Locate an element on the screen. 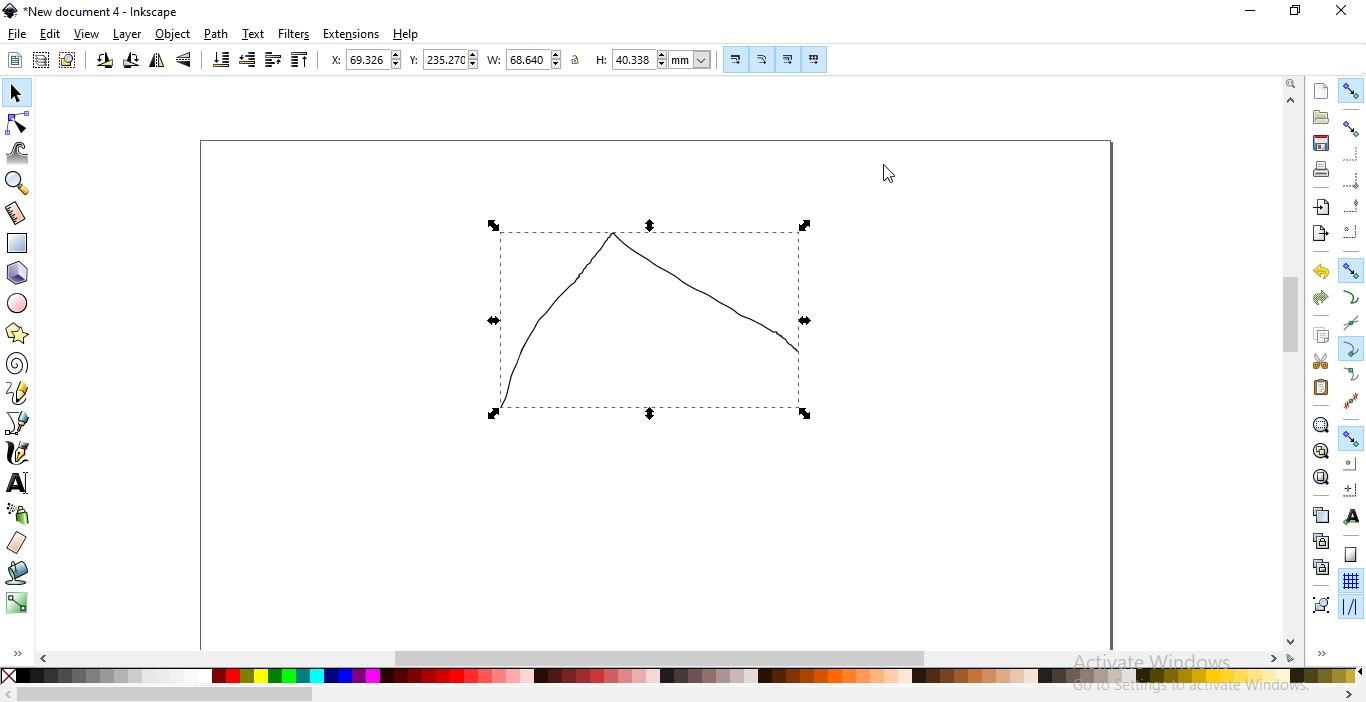 This screenshot has height=702, width=1366. layer is located at coordinates (128, 35).